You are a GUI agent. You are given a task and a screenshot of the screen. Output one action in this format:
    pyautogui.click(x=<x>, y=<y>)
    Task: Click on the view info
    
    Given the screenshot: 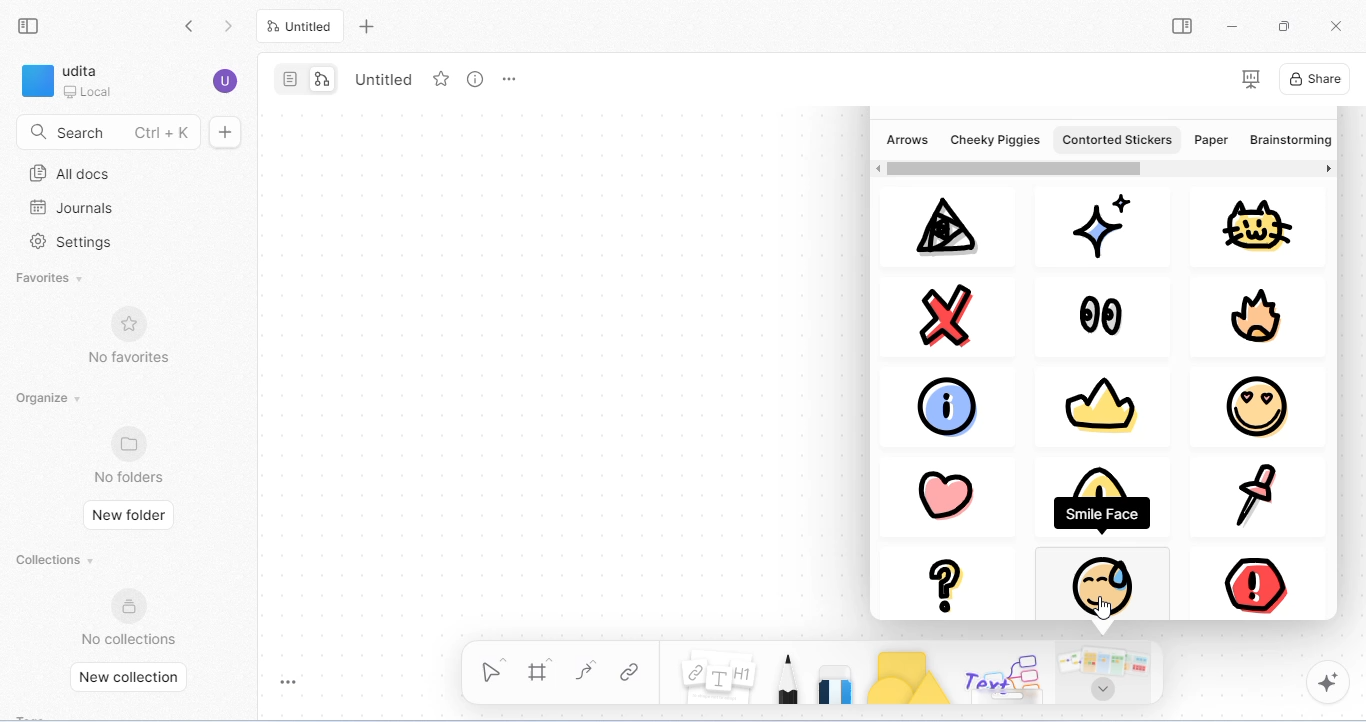 What is the action you would take?
    pyautogui.click(x=476, y=79)
    